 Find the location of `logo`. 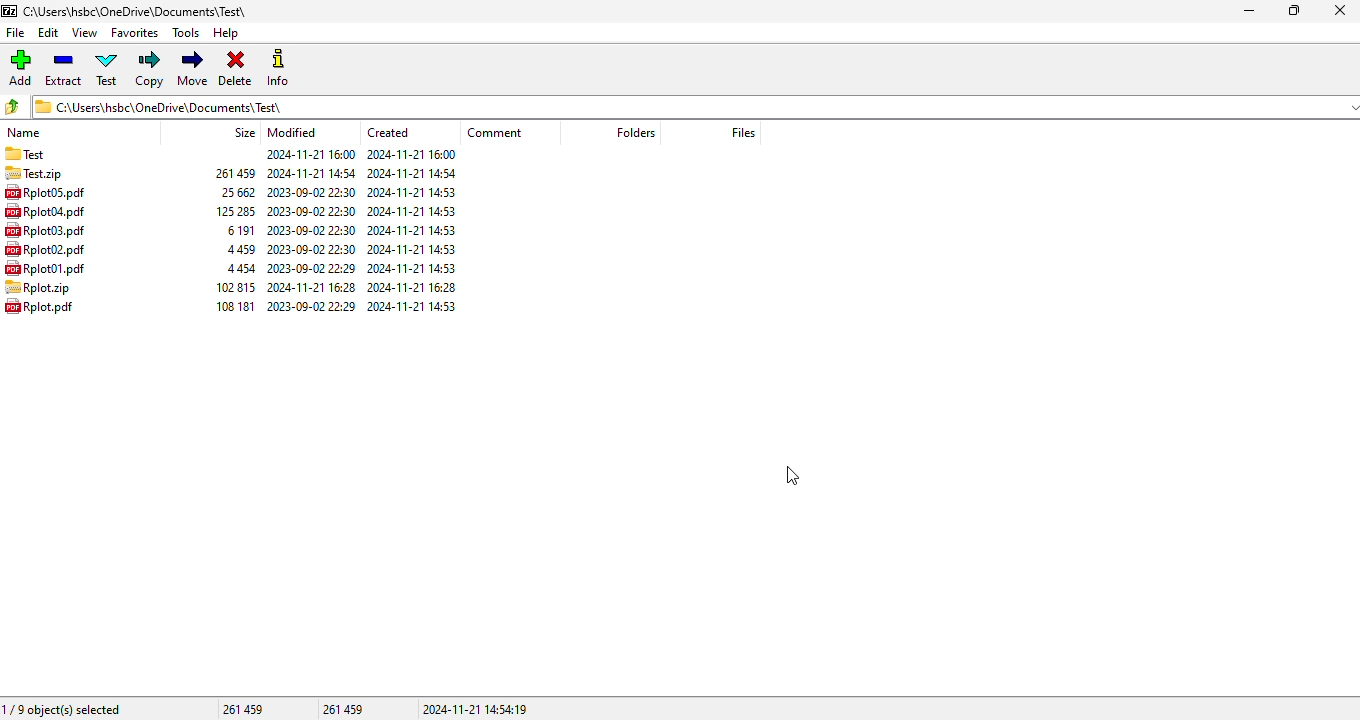

logo is located at coordinates (10, 11).